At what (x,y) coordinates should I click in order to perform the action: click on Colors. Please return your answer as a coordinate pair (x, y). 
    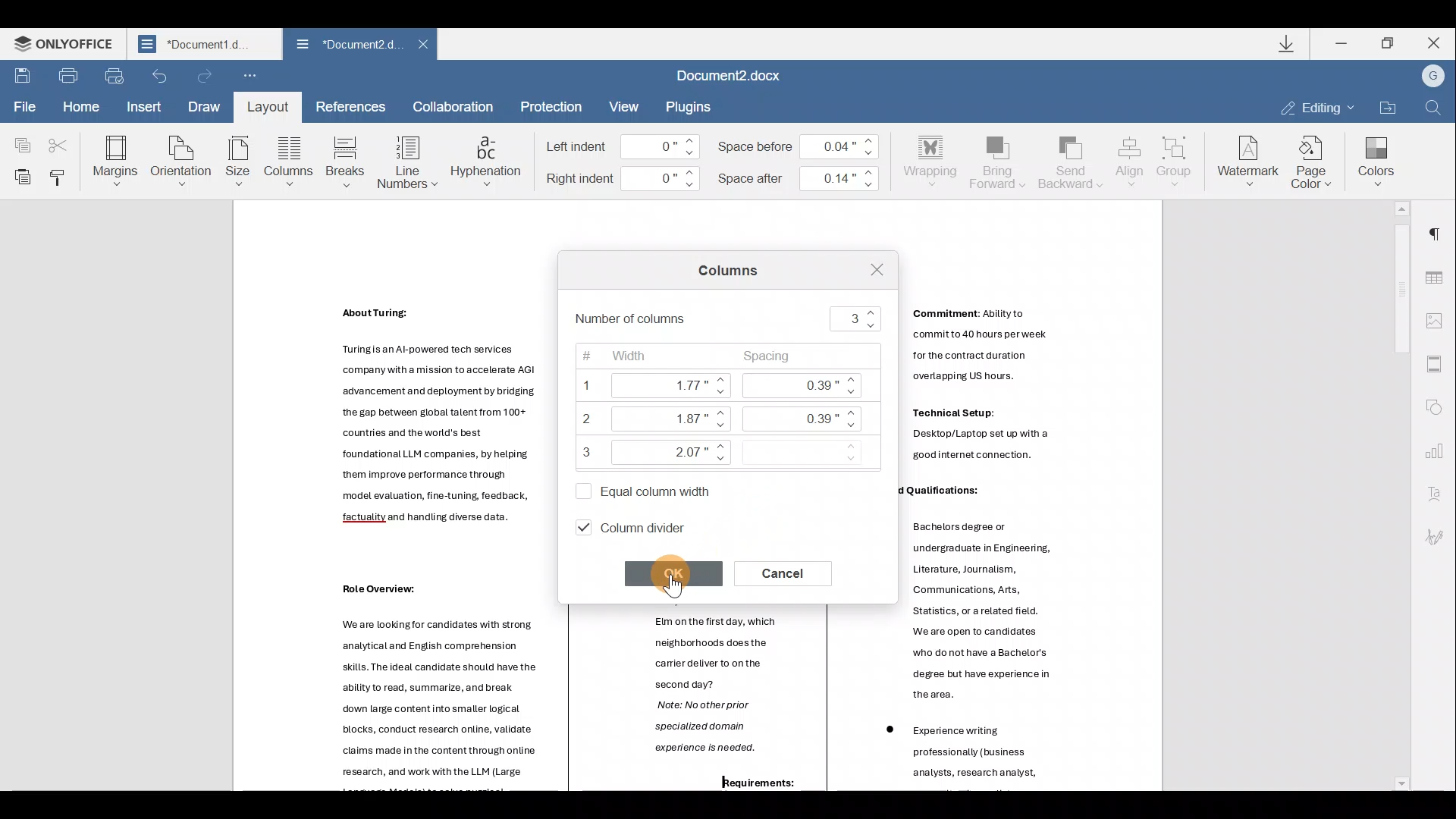
    Looking at the image, I should click on (1376, 157).